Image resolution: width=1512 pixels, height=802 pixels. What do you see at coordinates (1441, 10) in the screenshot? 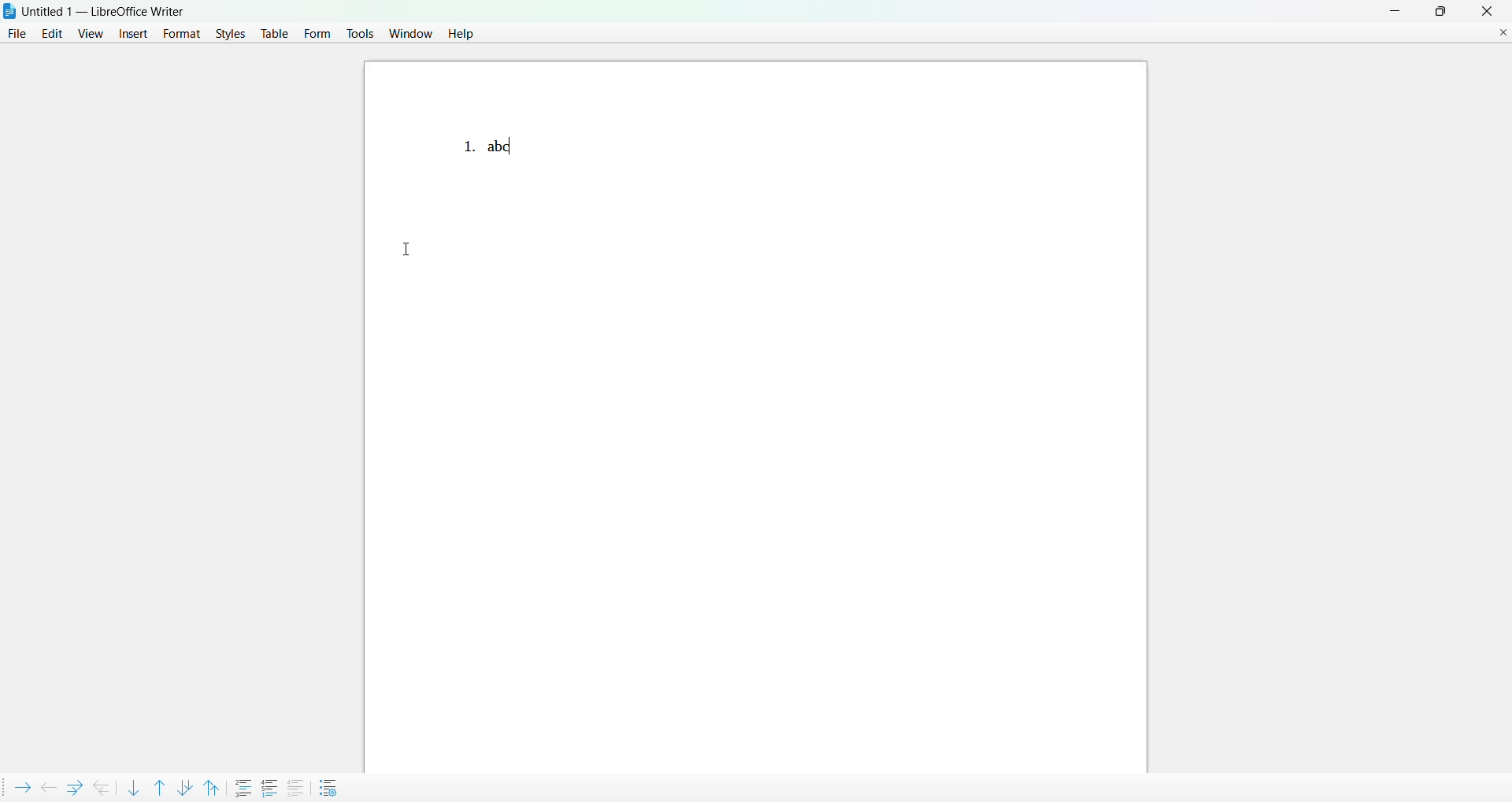
I see `maximum` at bounding box center [1441, 10].